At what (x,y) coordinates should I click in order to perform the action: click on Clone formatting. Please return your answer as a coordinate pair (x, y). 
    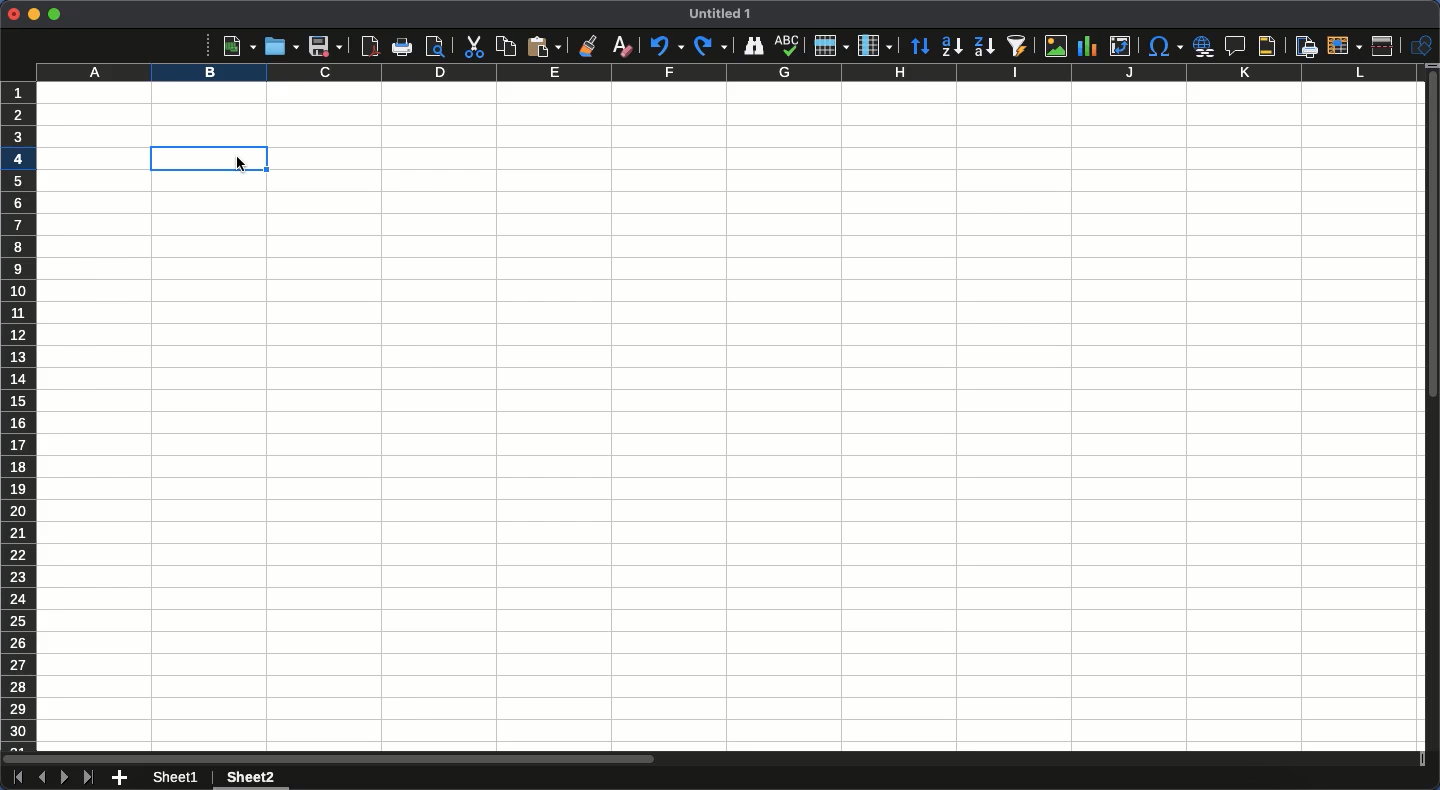
    Looking at the image, I should click on (589, 46).